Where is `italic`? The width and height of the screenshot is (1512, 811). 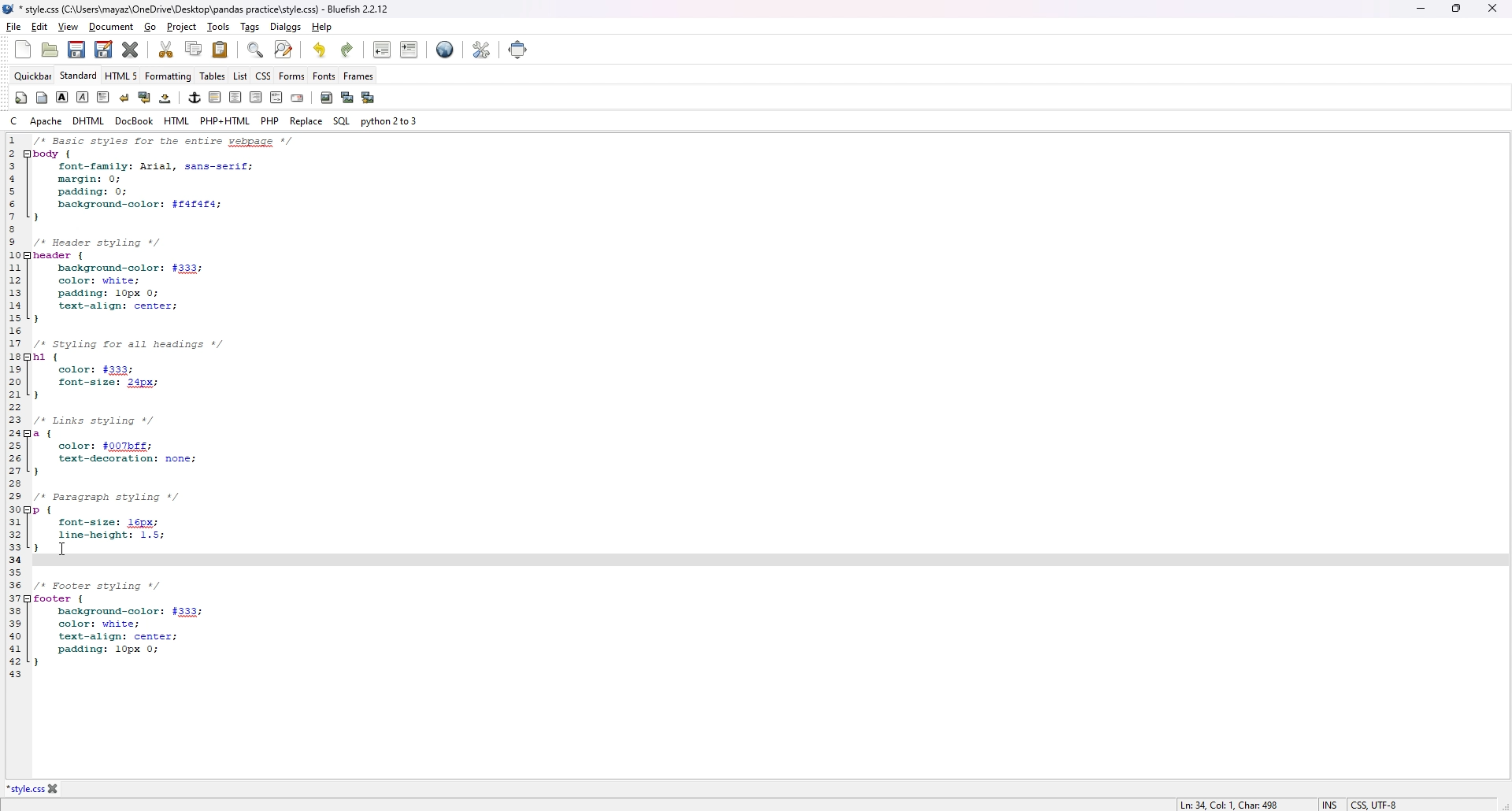
italic is located at coordinates (83, 98).